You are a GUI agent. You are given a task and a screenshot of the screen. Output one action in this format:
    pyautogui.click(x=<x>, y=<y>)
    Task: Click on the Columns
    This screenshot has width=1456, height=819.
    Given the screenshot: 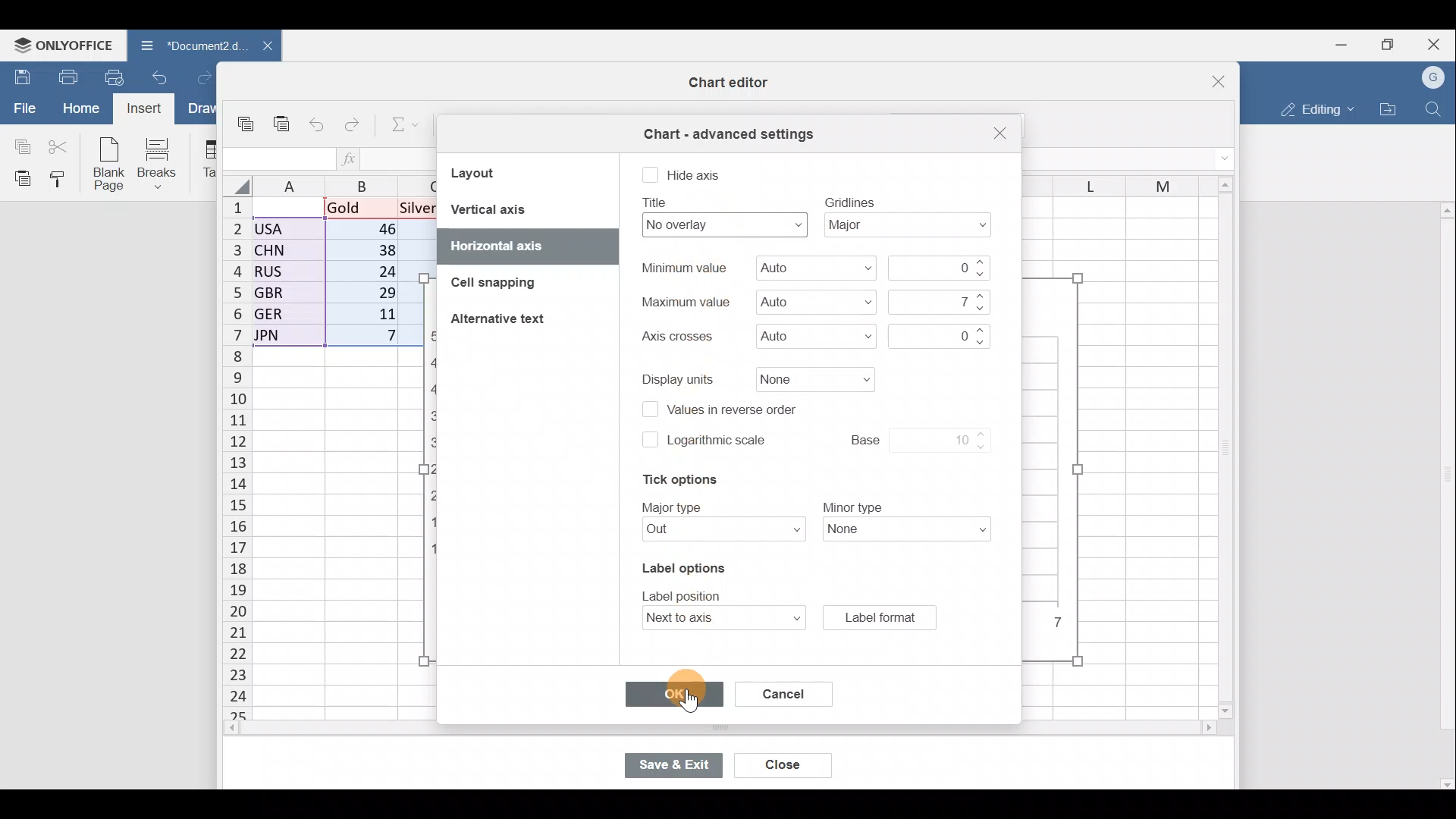 What is the action you would take?
    pyautogui.click(x=337, y=184)
    